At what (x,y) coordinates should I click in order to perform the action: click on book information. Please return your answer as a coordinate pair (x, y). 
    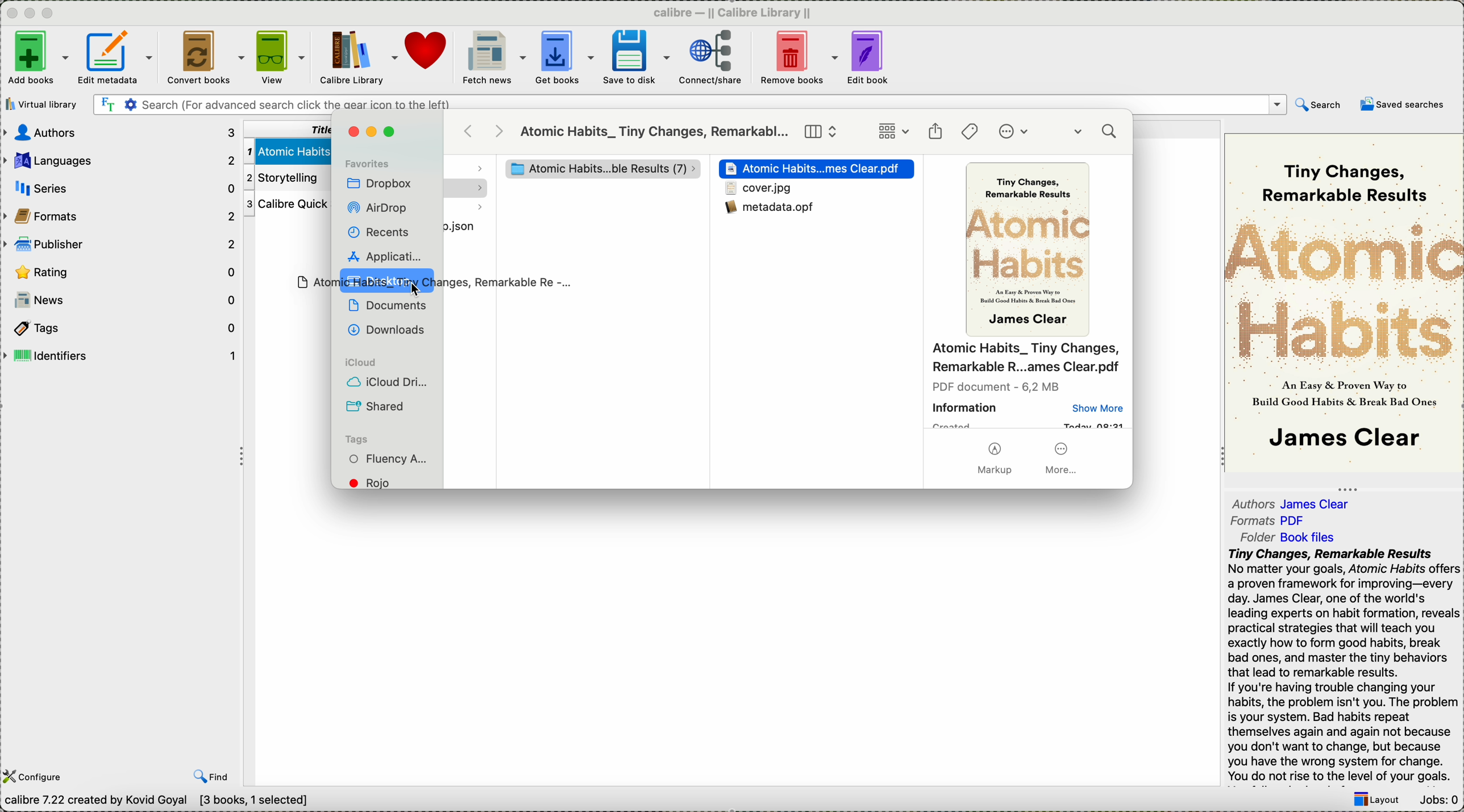
    Looking at the image, I should click on (1028, 406).